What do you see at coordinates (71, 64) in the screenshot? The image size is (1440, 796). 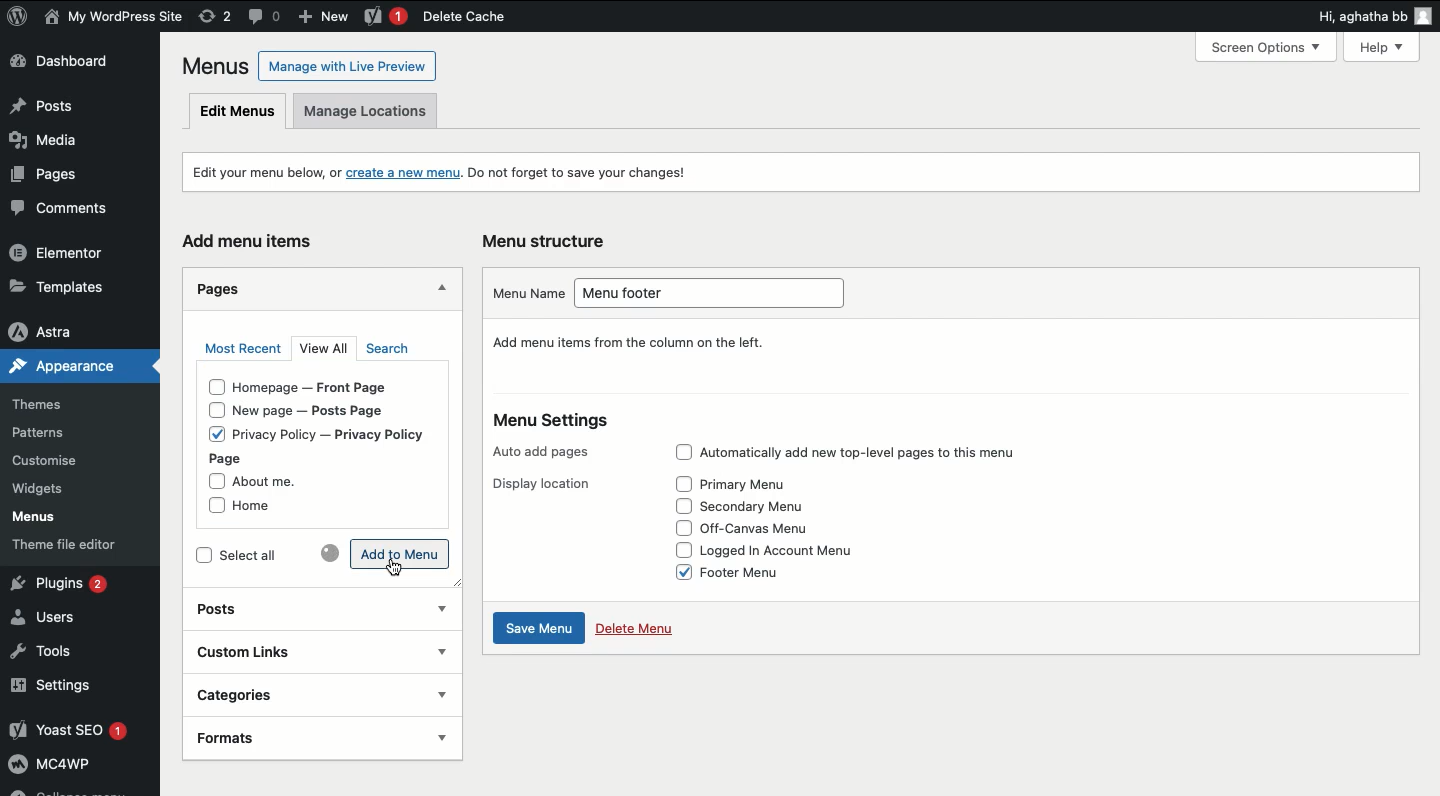 I see `Dashboard` at bounding box center [71, 64].